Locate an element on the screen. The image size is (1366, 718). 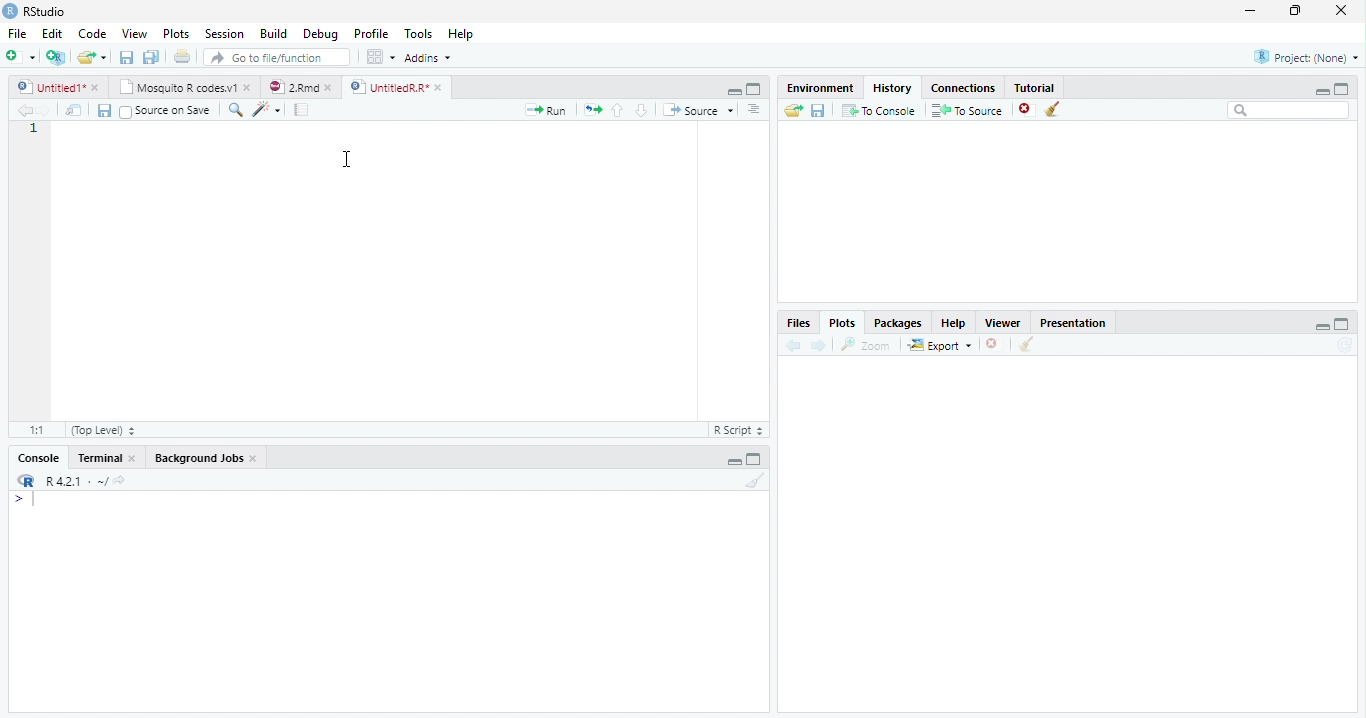
Save is located at coordinates (102, 110).